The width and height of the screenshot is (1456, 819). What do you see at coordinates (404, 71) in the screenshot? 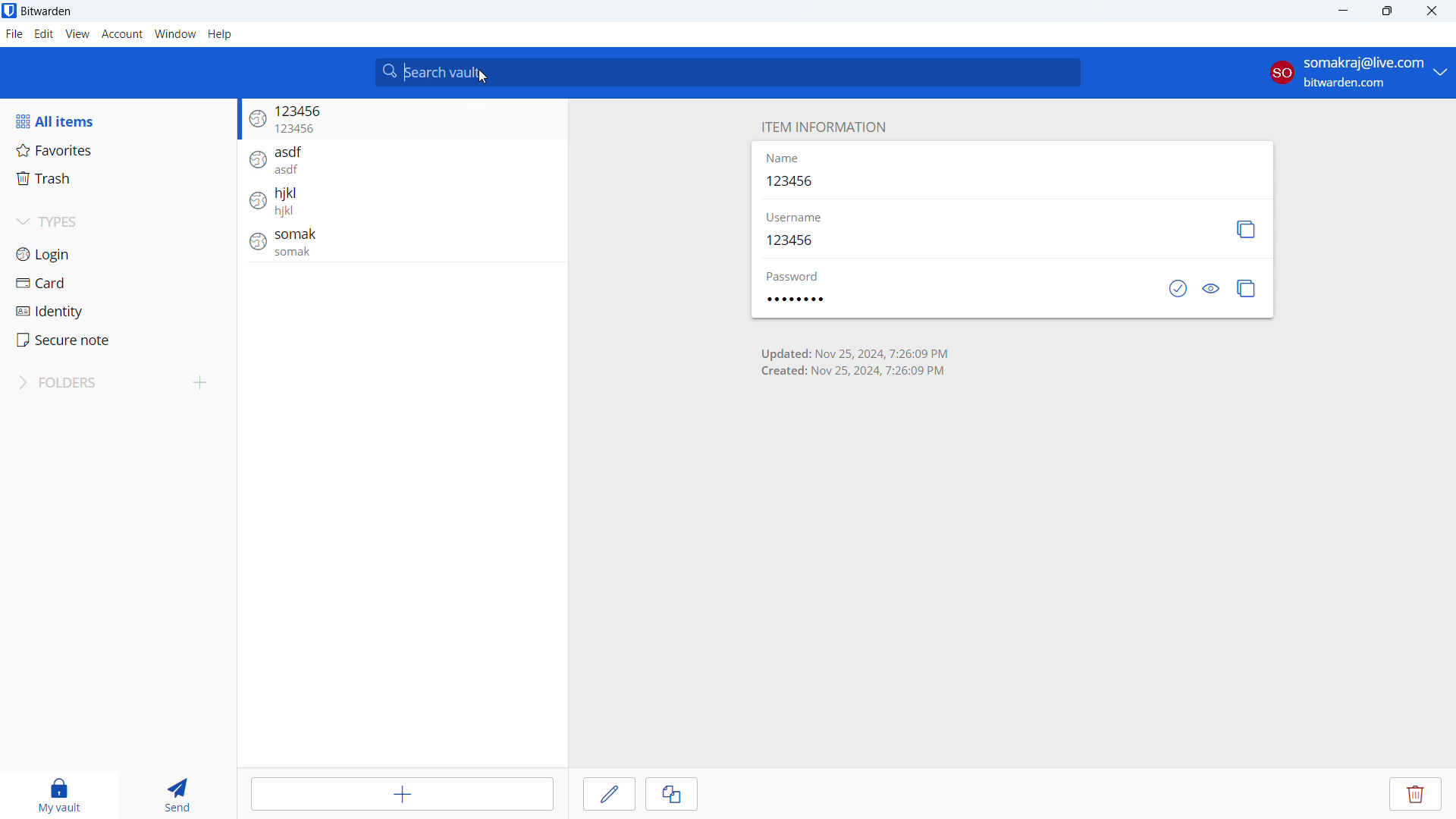
I see `typing started` at bounding box center [404, 71].